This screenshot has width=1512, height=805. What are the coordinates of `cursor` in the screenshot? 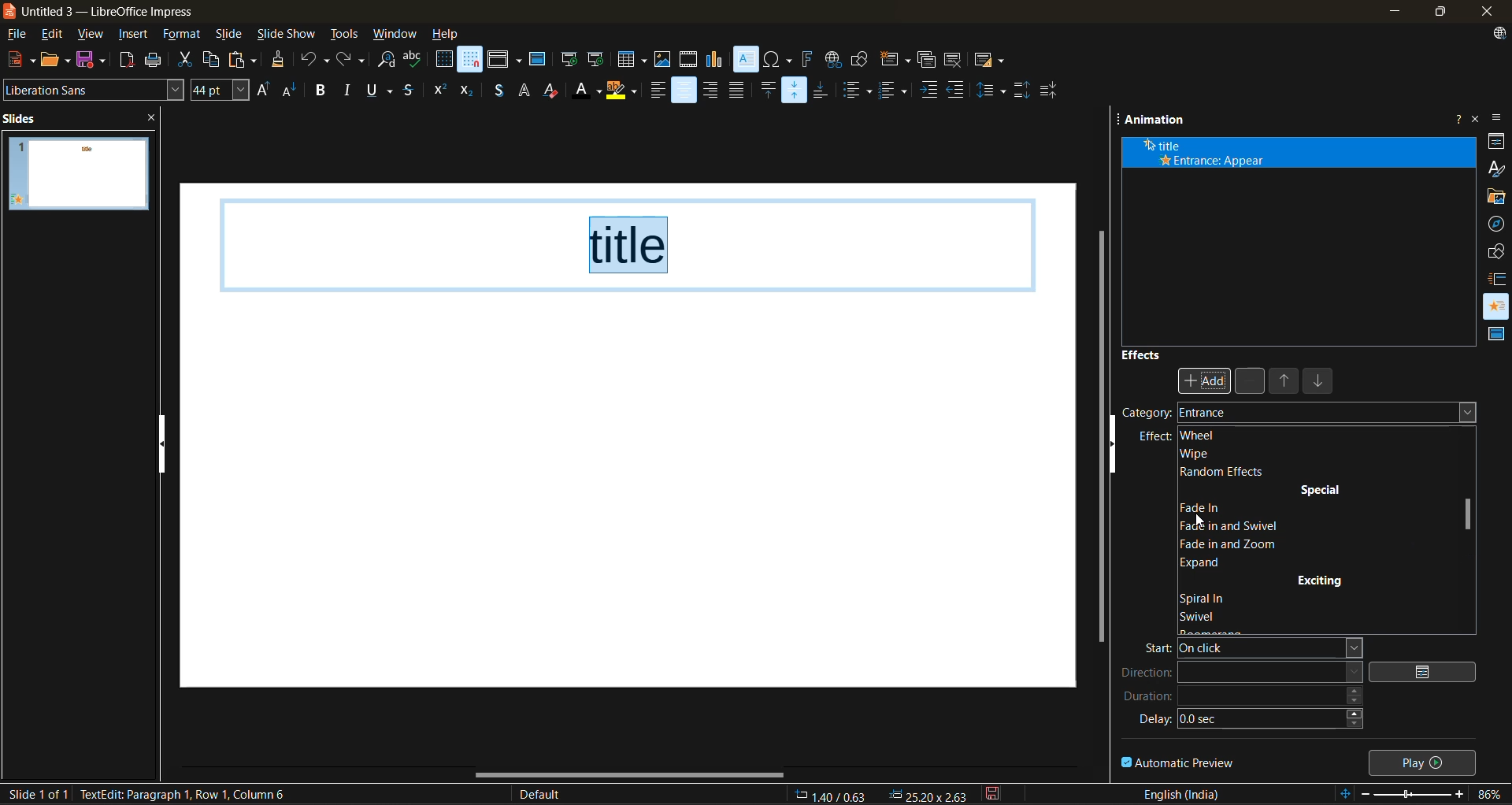 It's located at (1197, 522).